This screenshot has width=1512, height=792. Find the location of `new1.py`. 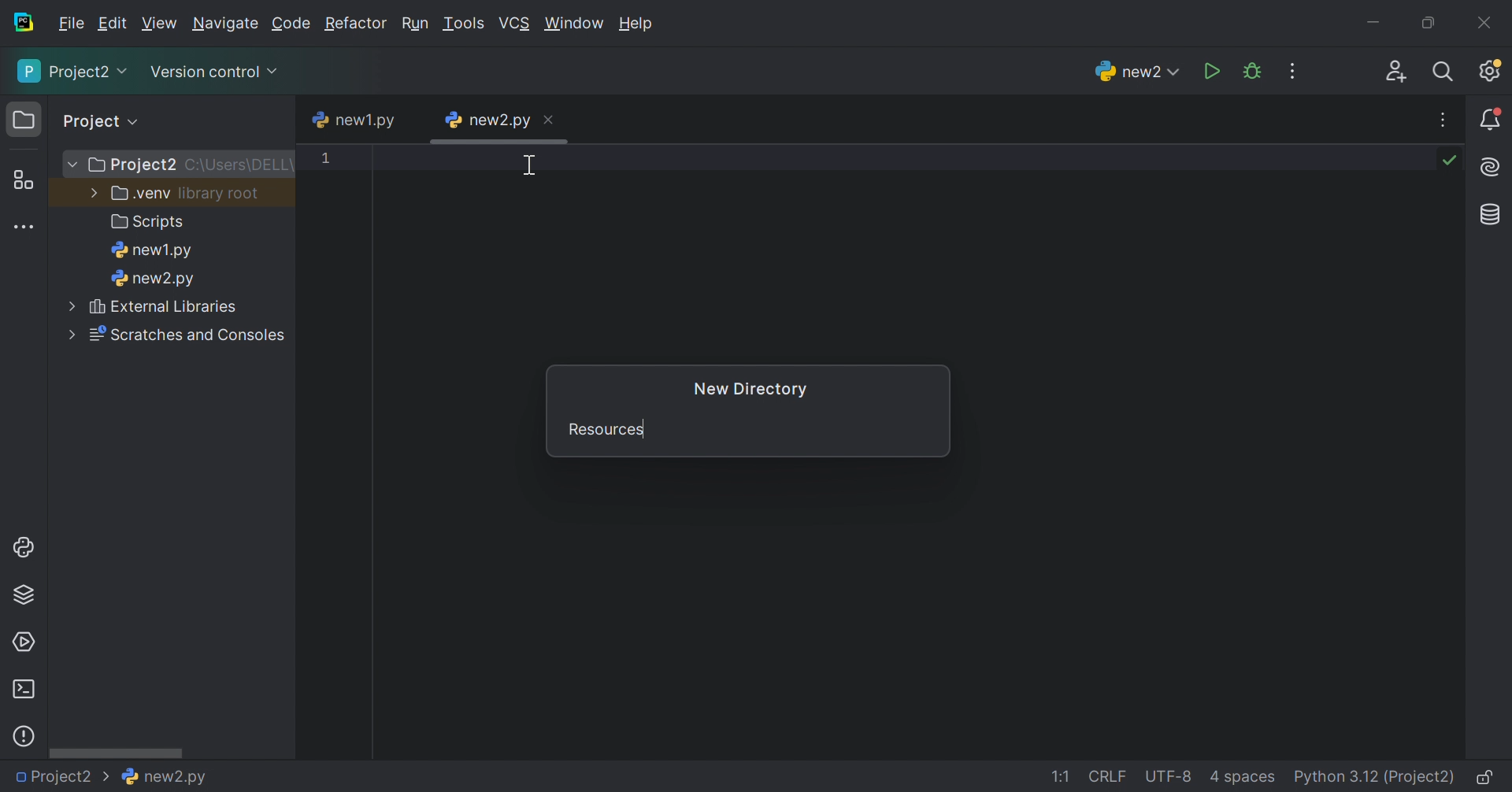

new1.py is located at coordinates (154, 250).